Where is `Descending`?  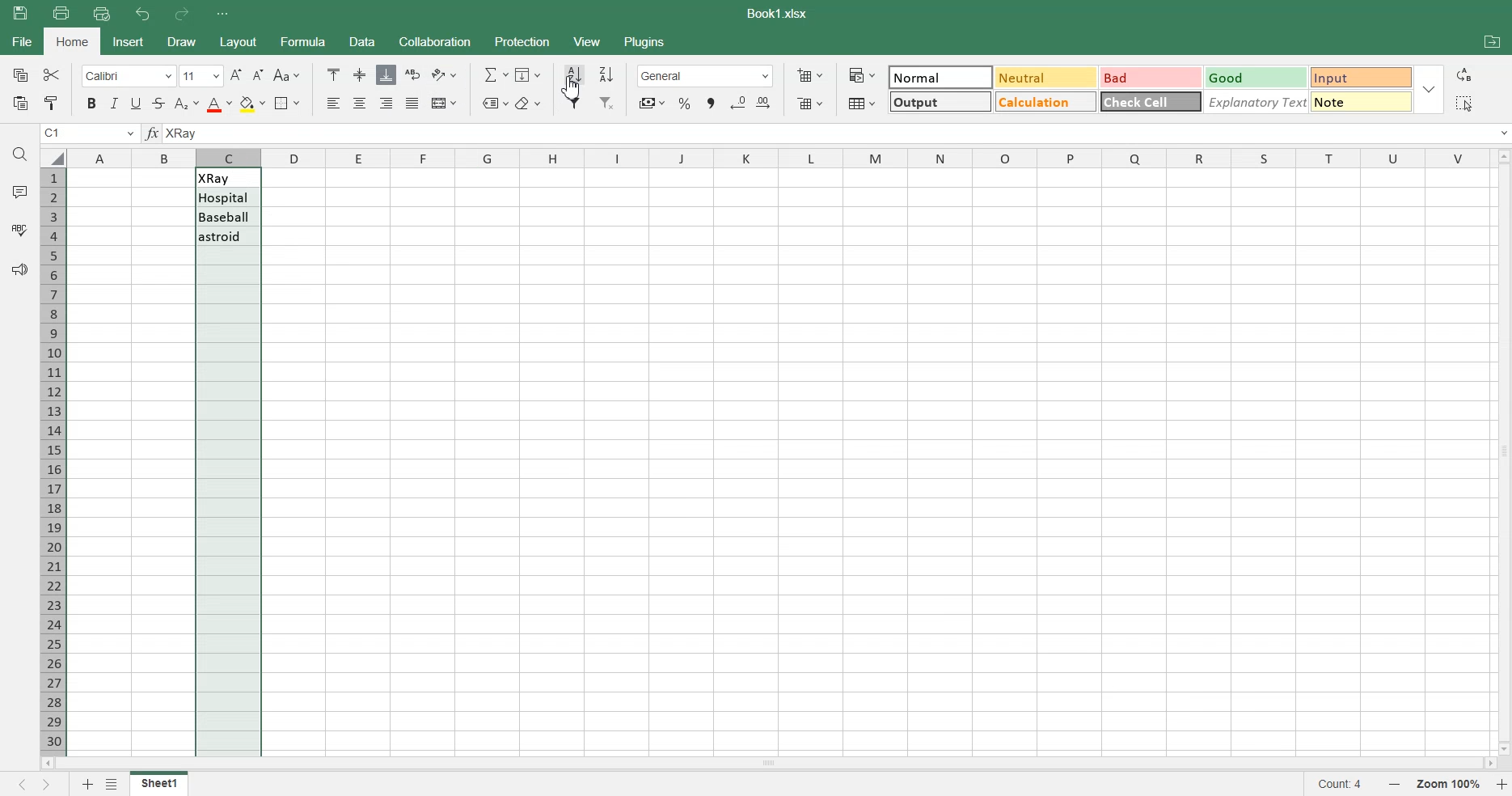 Descending is located at coordinates (607, 74).